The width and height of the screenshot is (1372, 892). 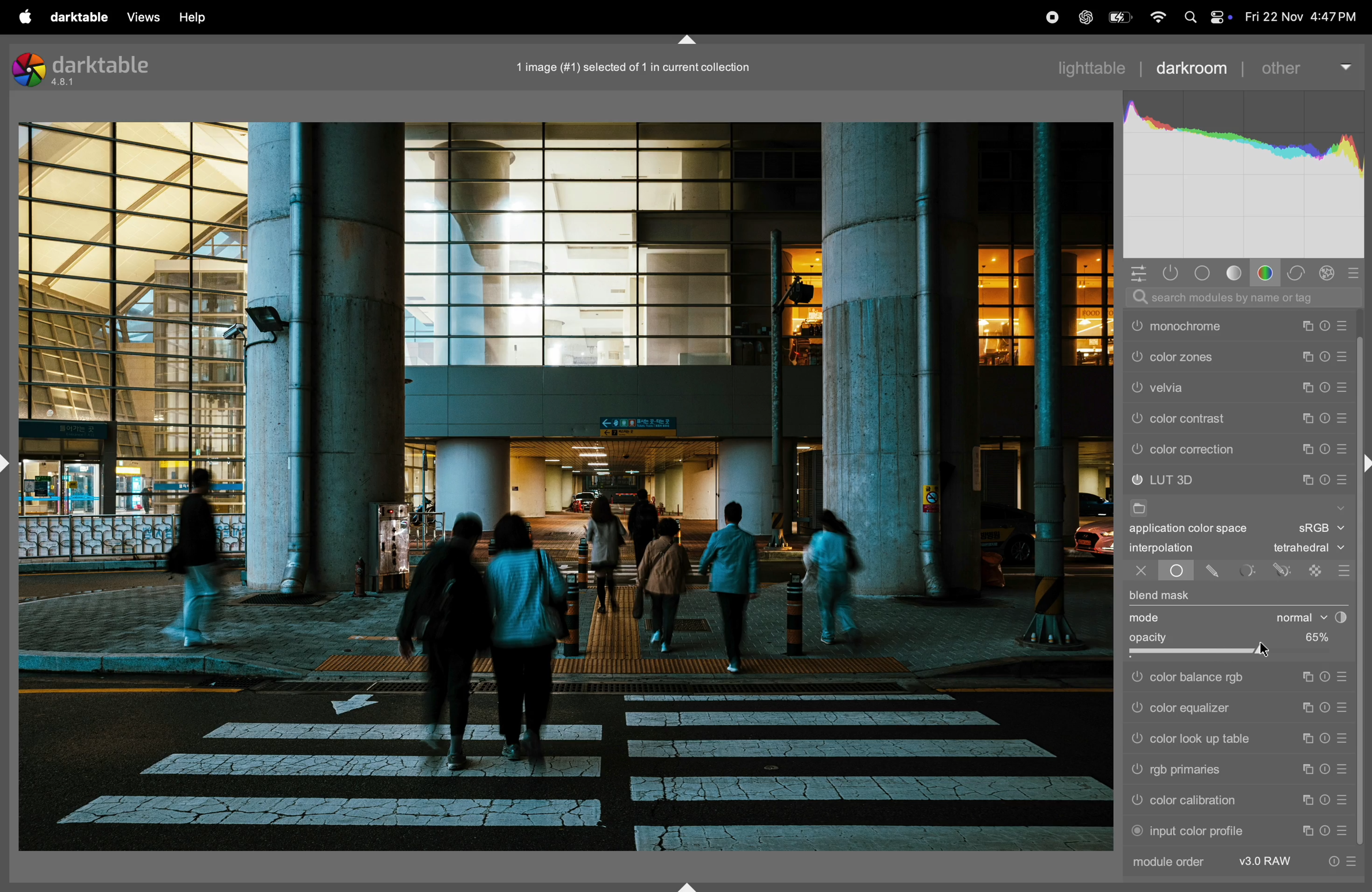 I want to click on blend mask, so click(x=1162, y=595).